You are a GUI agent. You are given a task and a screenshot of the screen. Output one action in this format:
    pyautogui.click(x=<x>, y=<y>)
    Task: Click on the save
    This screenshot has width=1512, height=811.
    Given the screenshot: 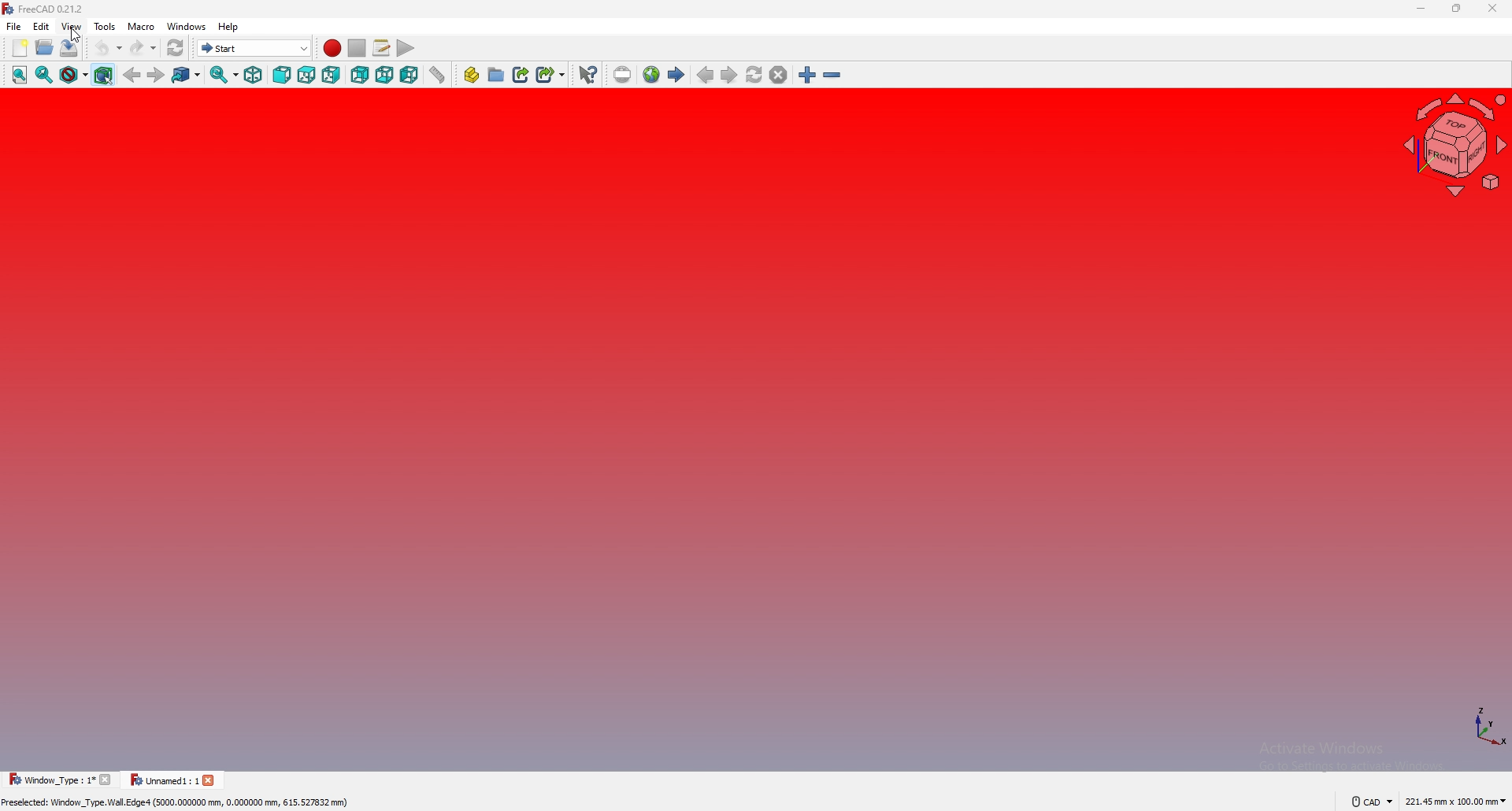 What is the action you would take?
    pyautogui.click(x=69, y=47)
    